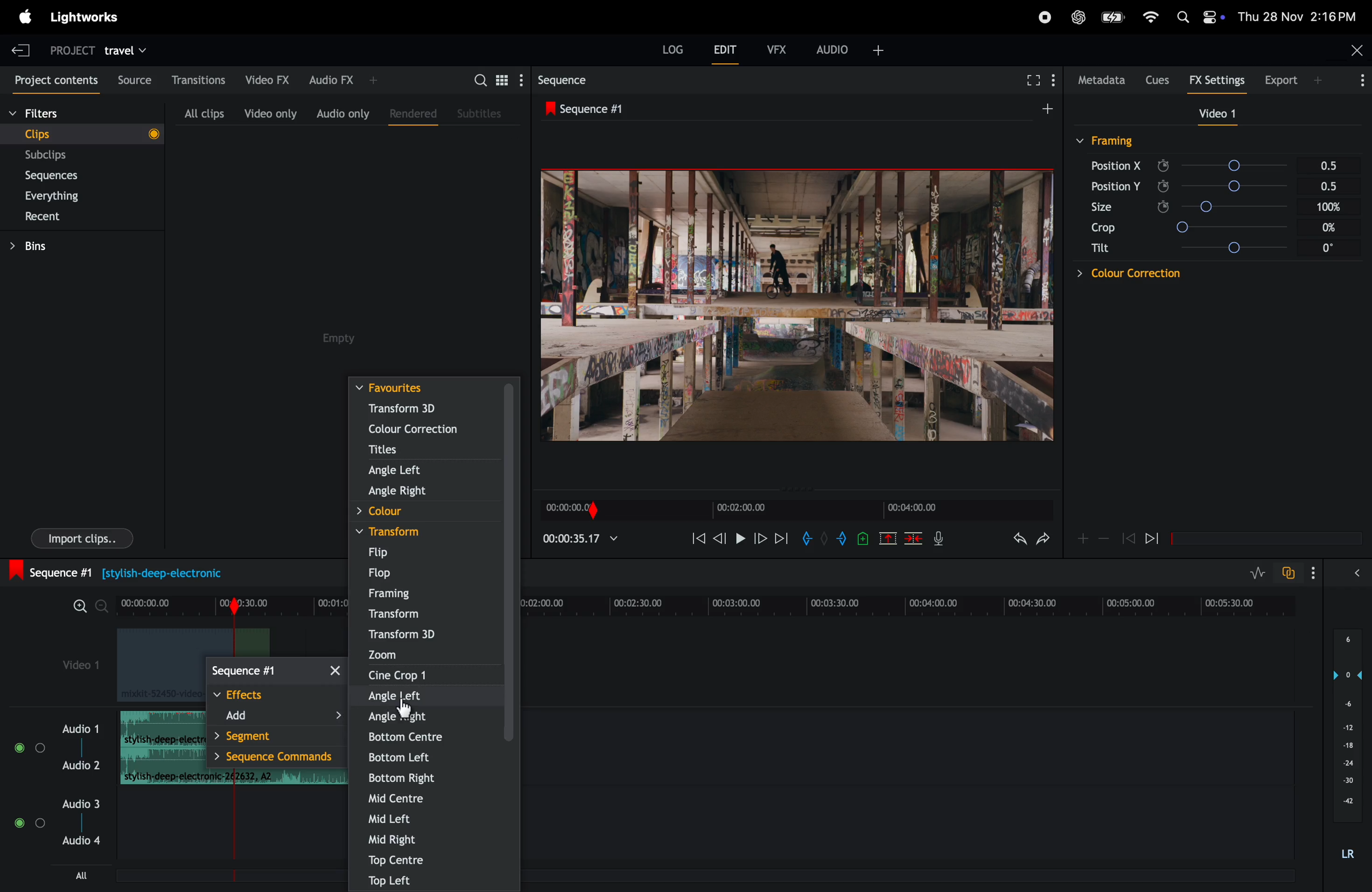 The height and width of the screenshot is (892, 1372). What do you see at coordinates (1114, 186) in the screenshot?
I see `position y` at bounding box center [1114, 186].